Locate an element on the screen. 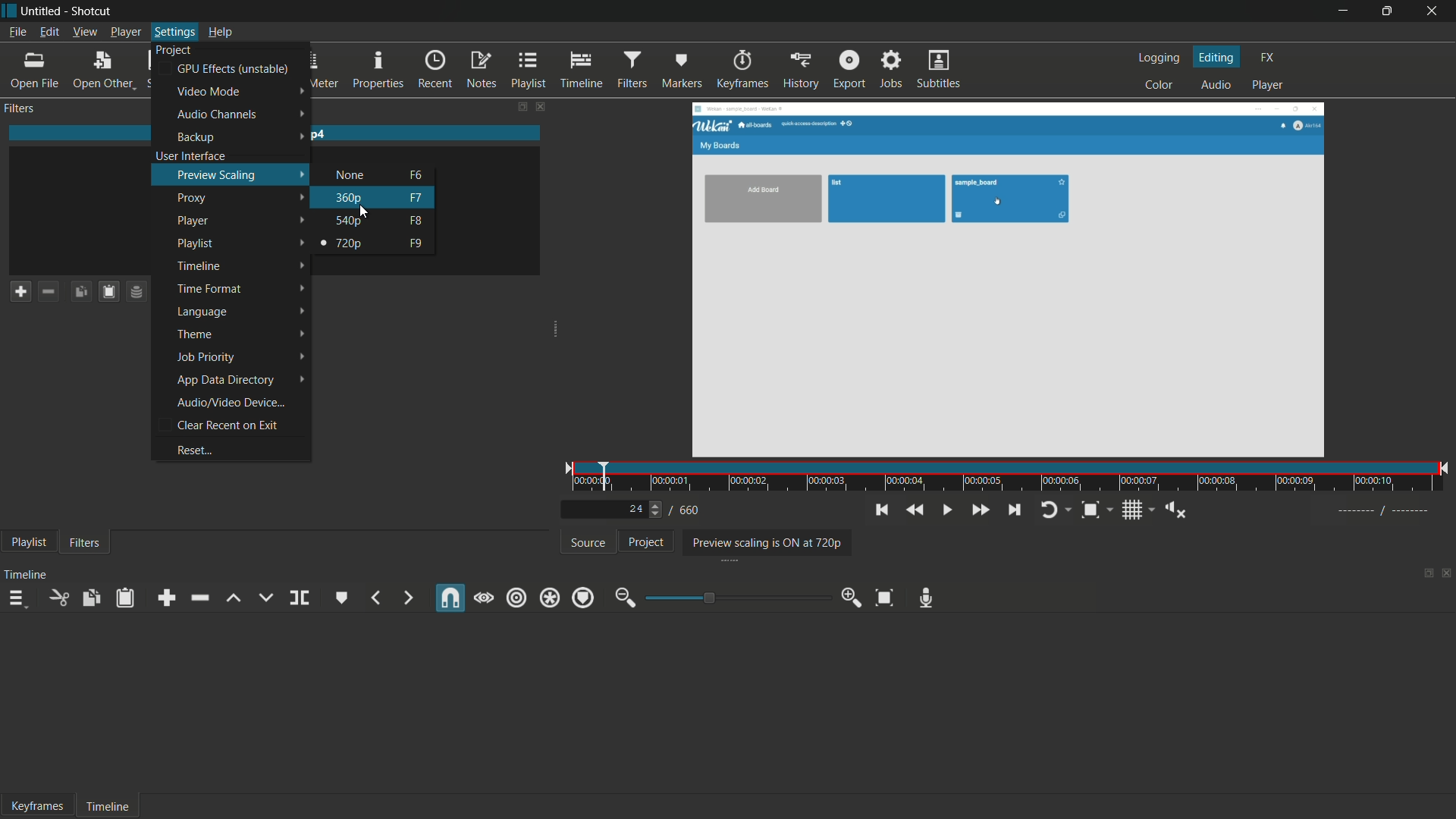  proxy is located at coordinates (194, 198).